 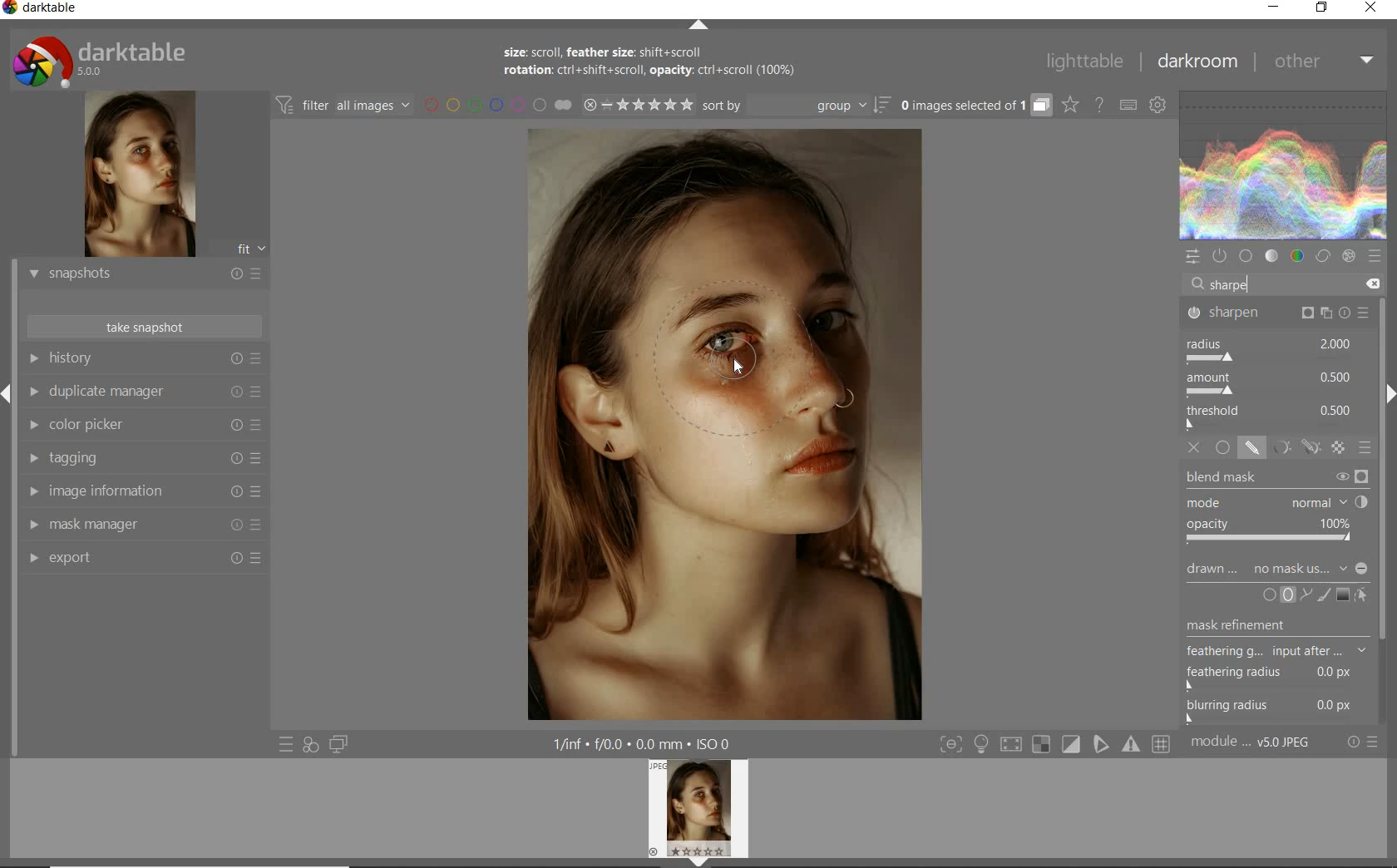 What do you see at coordinates (973, 105) in the screenshot?
I see `expand grouped images` at bounding box center [973, 105].